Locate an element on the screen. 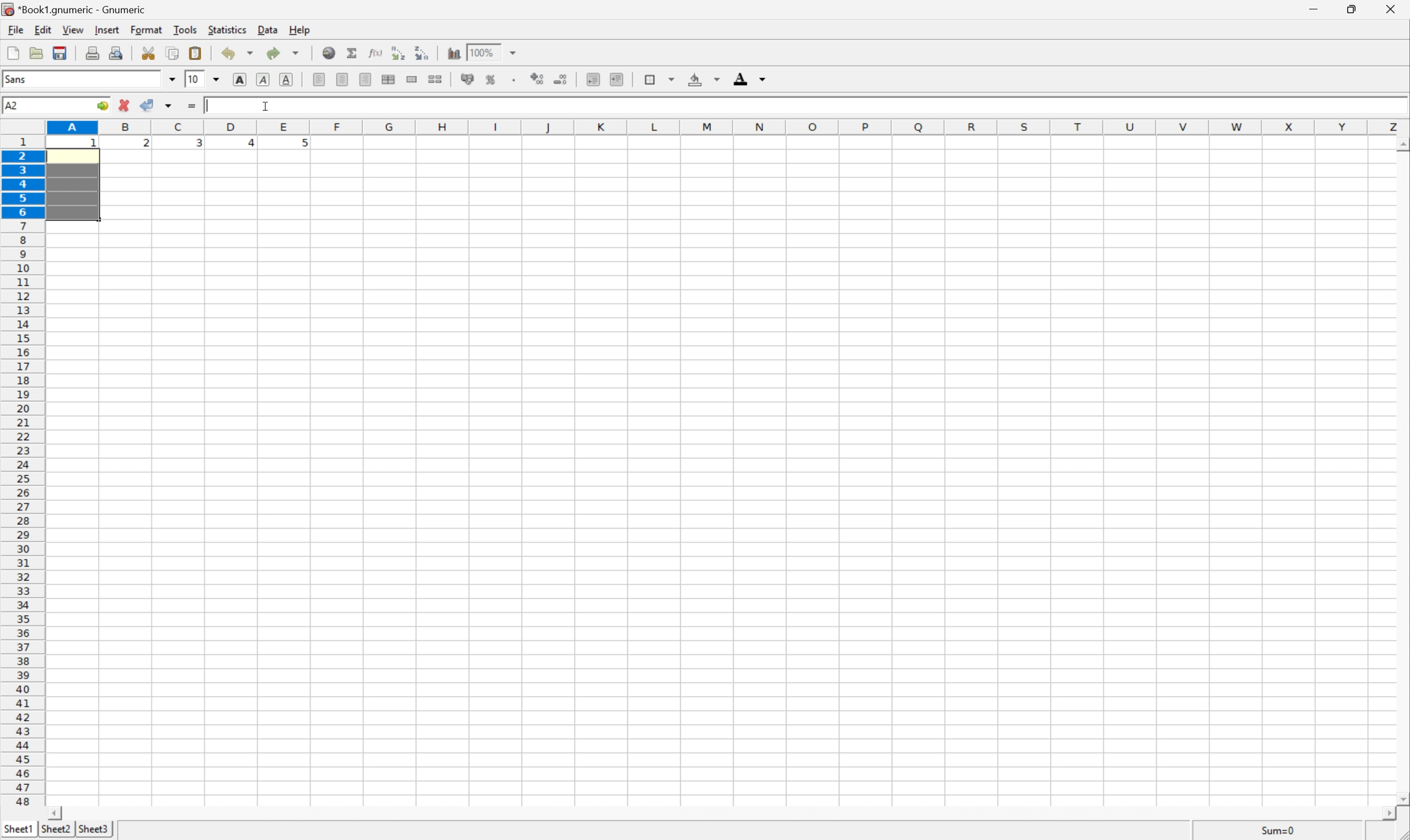  tools is located at coordinates (186, 30).